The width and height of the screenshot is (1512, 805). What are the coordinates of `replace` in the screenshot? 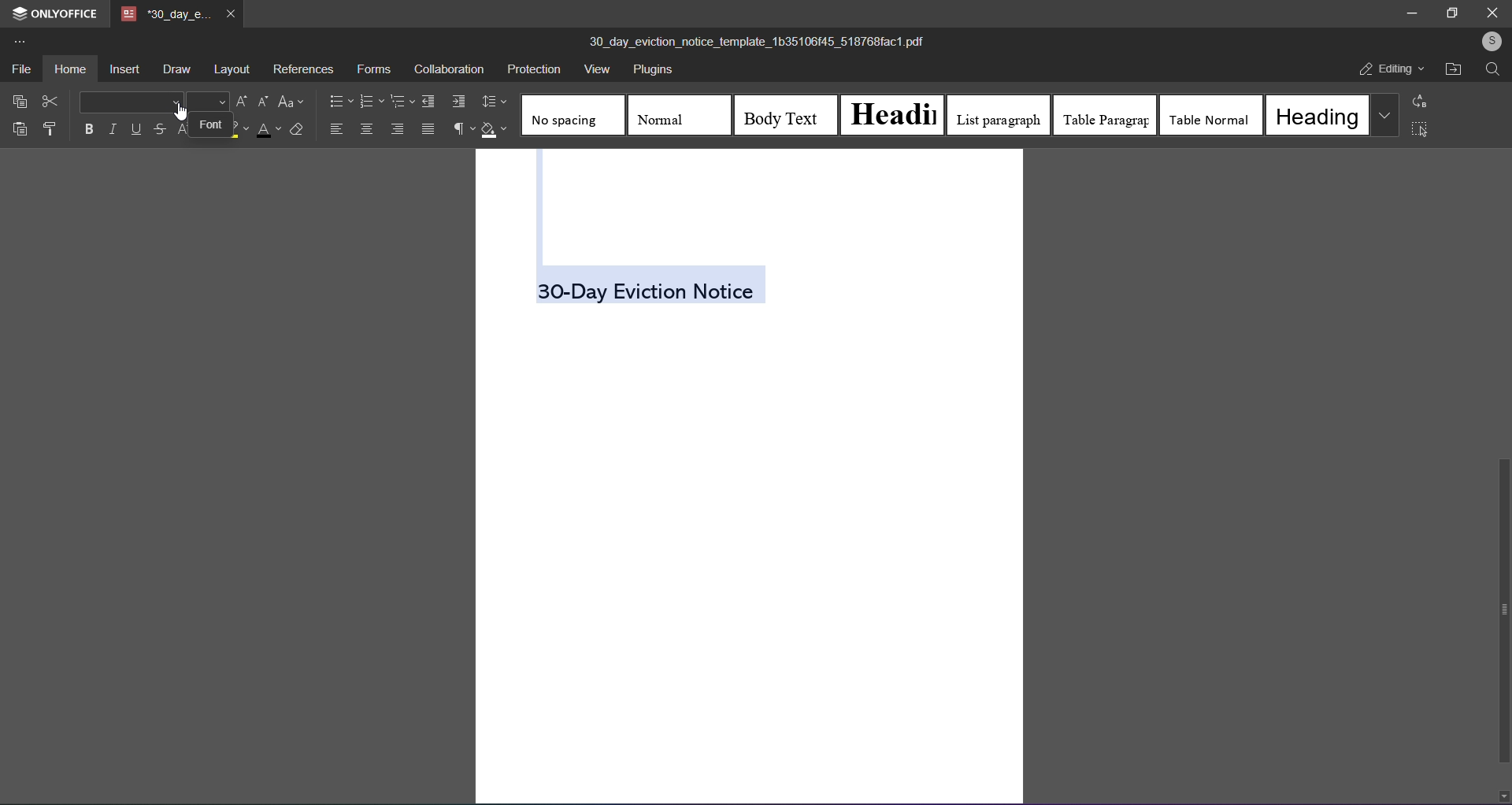 It's located at (1424, 101).